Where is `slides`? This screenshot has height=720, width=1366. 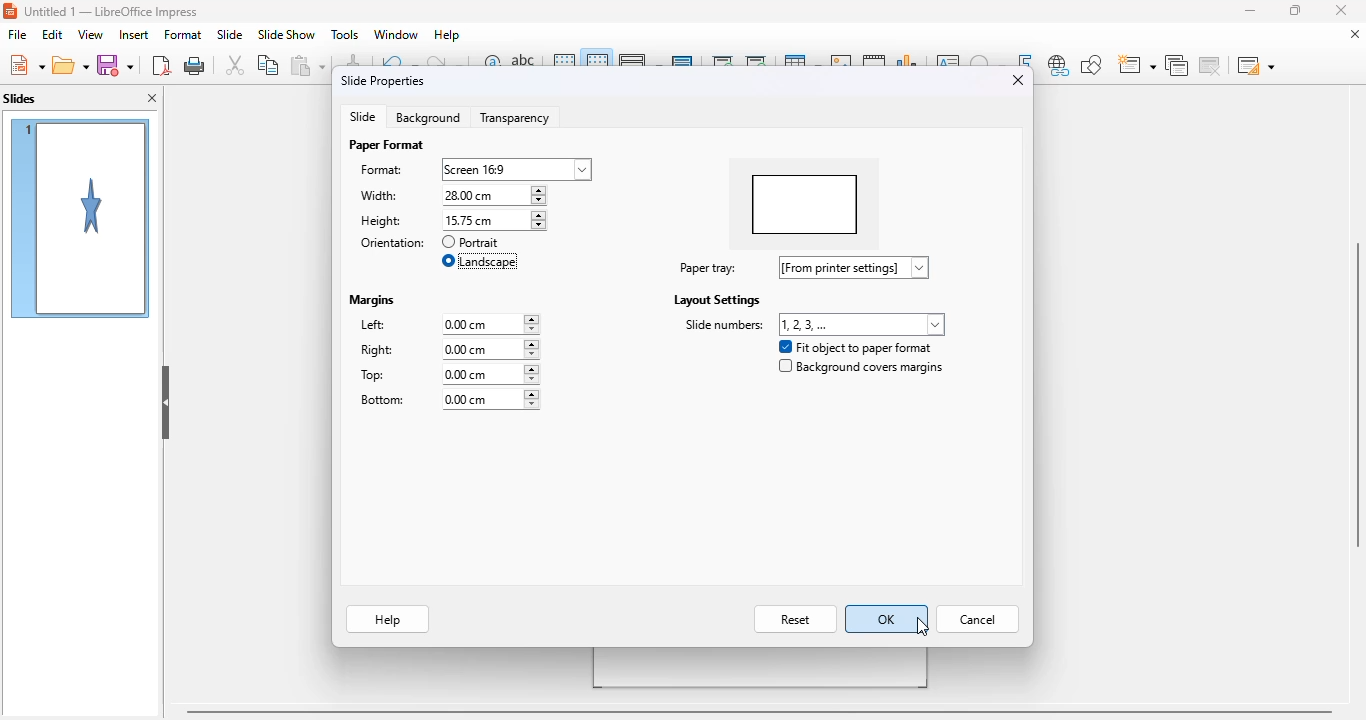
slides is located at coordinates (20, 99).